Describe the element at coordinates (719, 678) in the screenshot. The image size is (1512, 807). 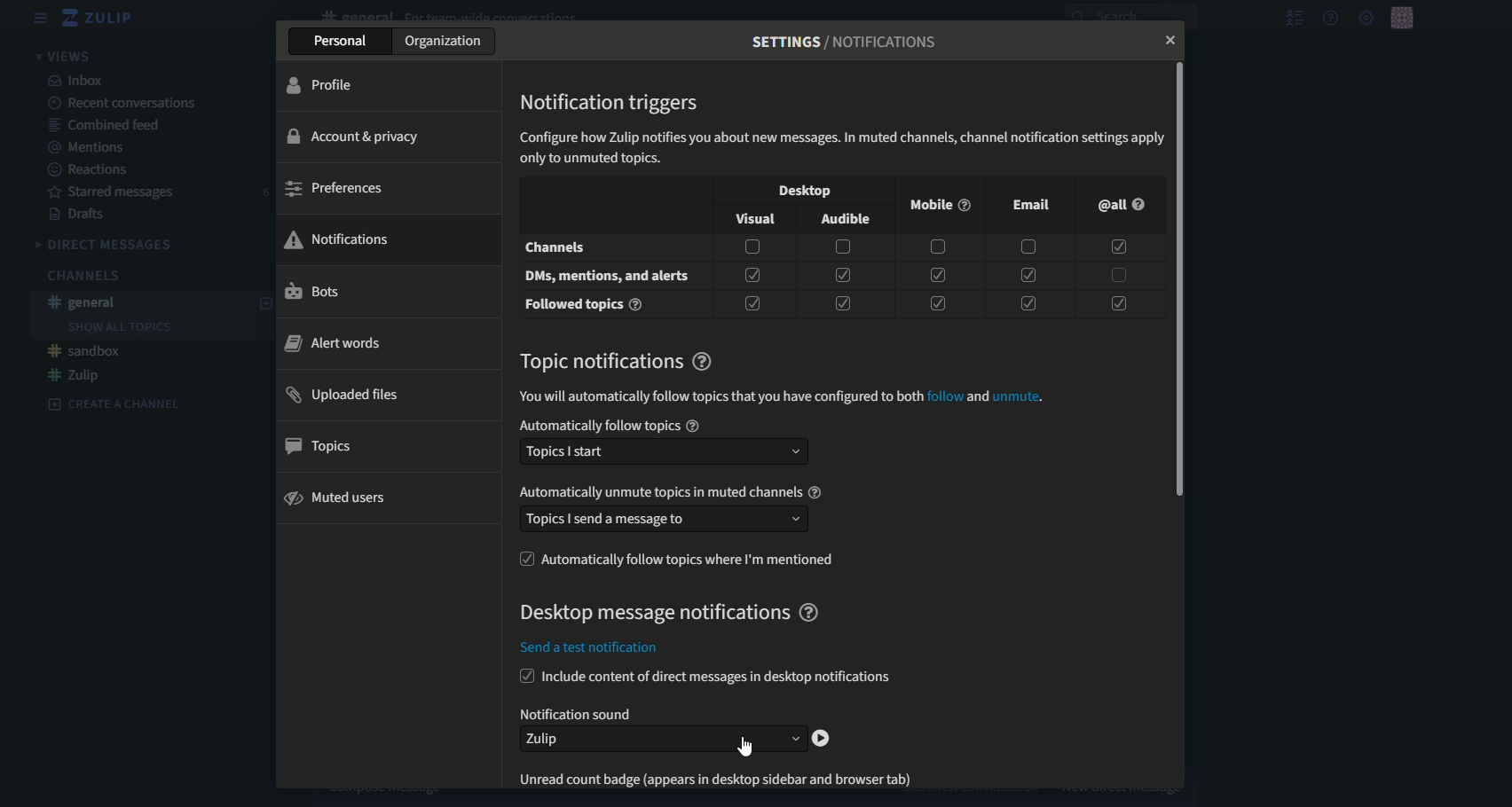
I see `text` at that location.